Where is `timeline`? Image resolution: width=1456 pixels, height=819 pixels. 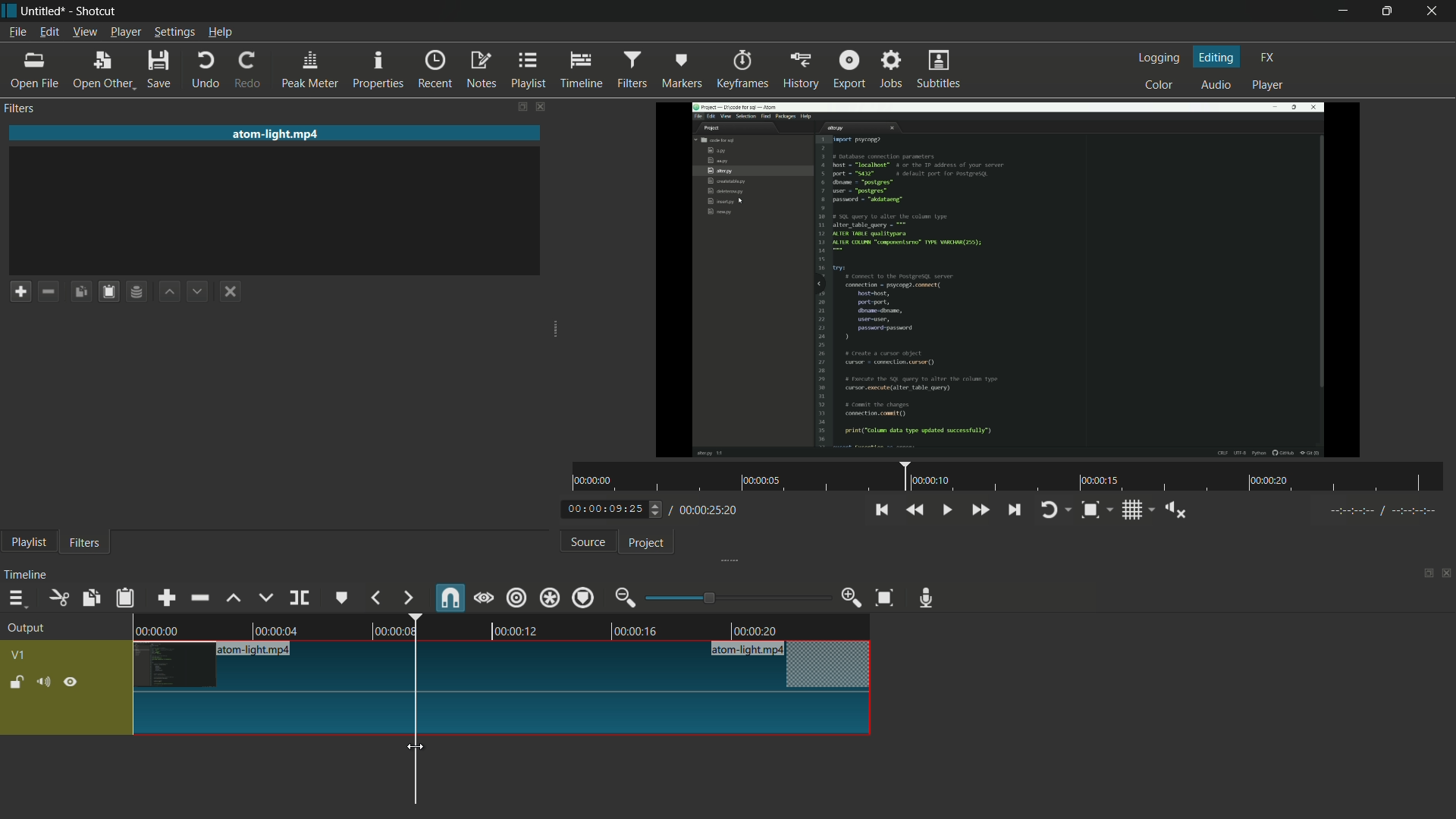 timeline is located at coordinates (584, 71).